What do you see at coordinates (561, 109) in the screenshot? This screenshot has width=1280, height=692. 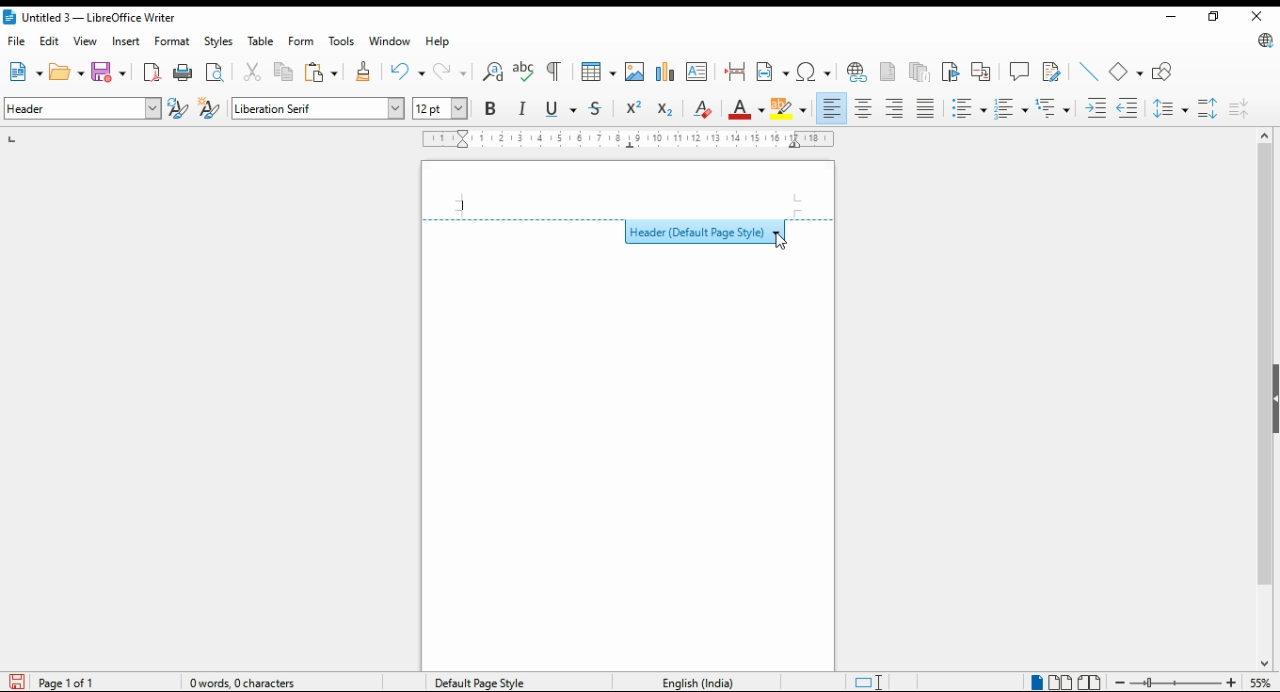 I see `underline` at bounding box center [561, 109].